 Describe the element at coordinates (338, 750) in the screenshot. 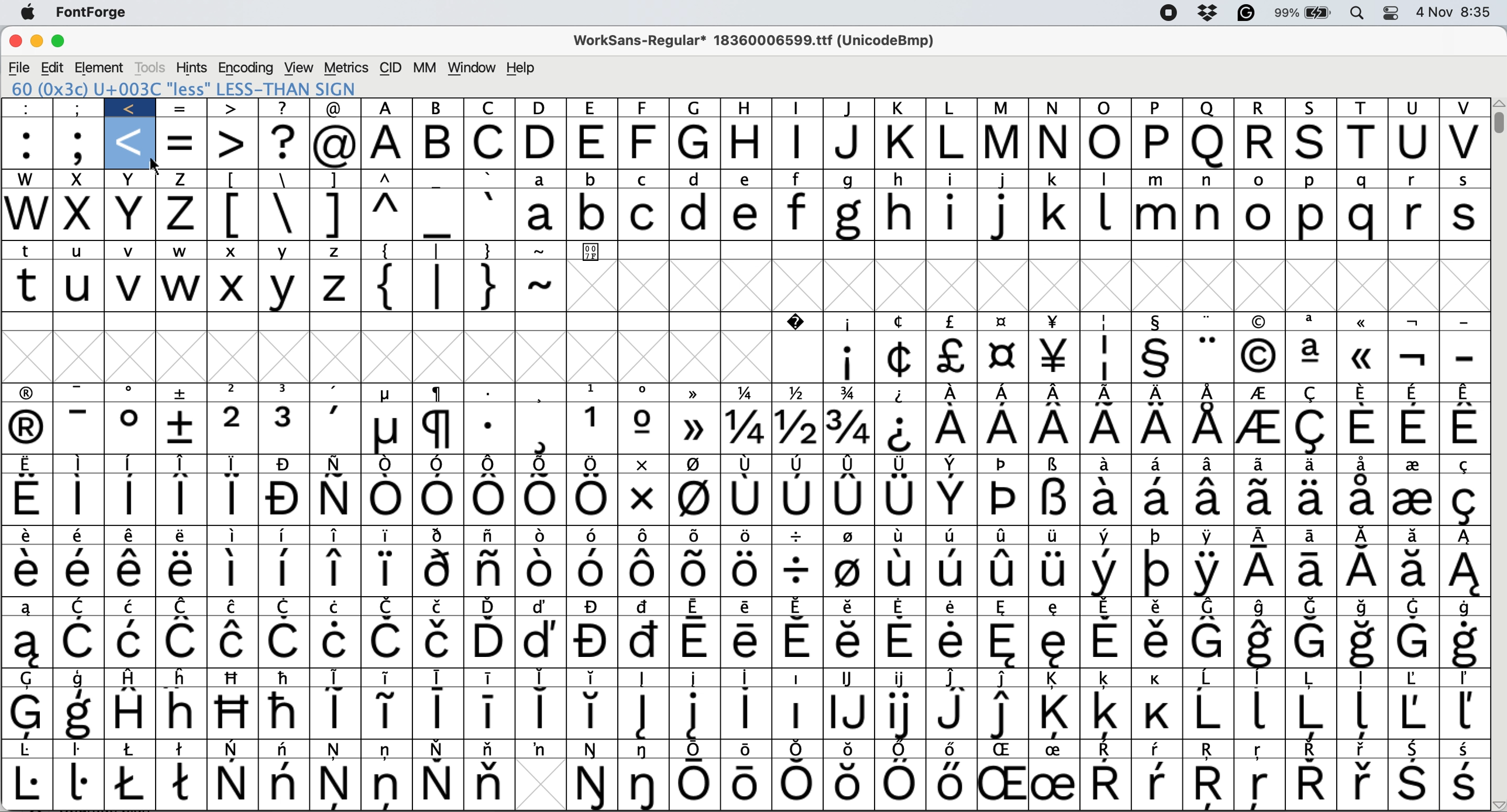

I see `Symbol` at that location.